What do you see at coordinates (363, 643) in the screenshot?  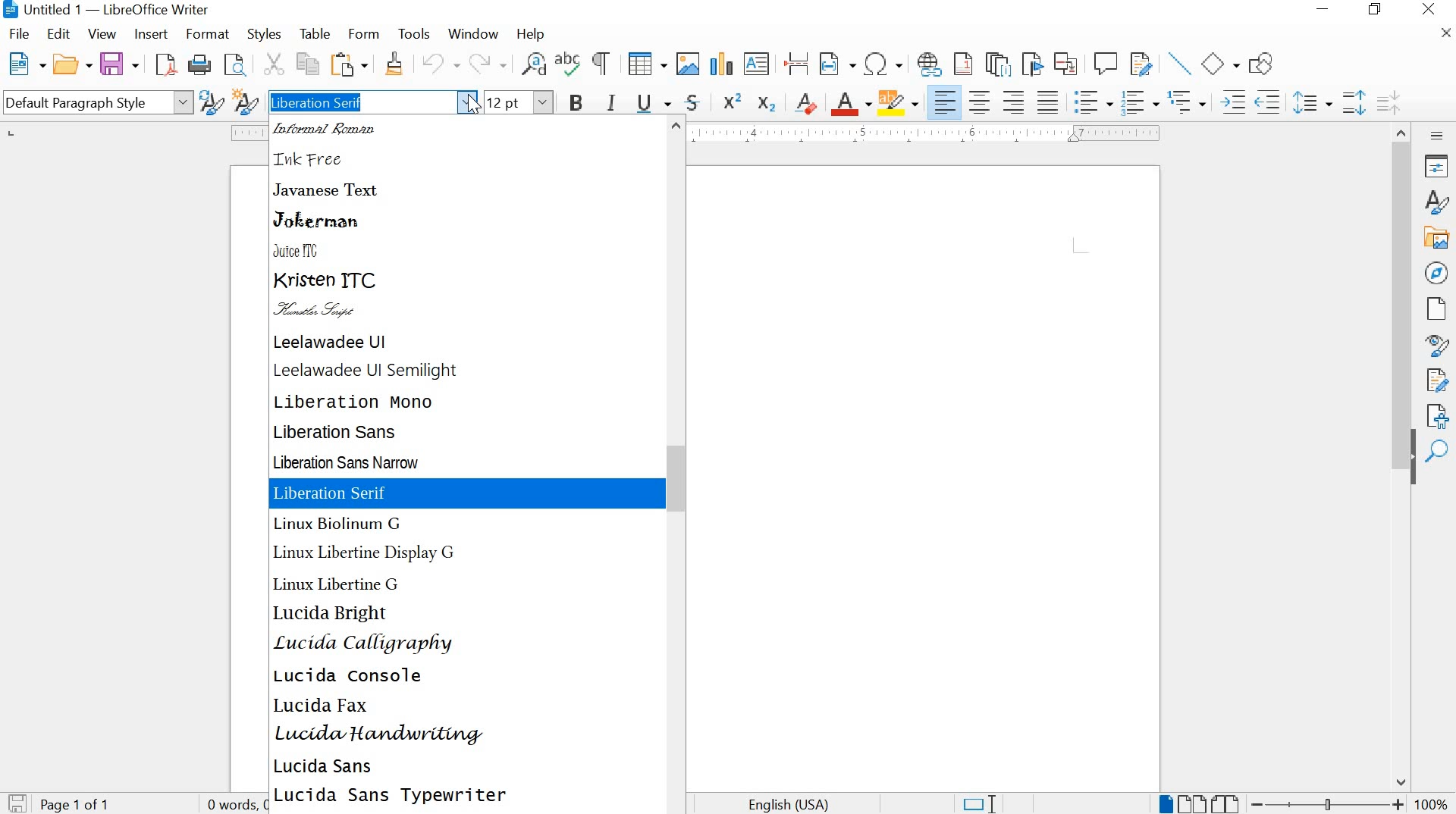 I see `LUCIDA CALLIGRAPHY` at bounding box center [363, 643].